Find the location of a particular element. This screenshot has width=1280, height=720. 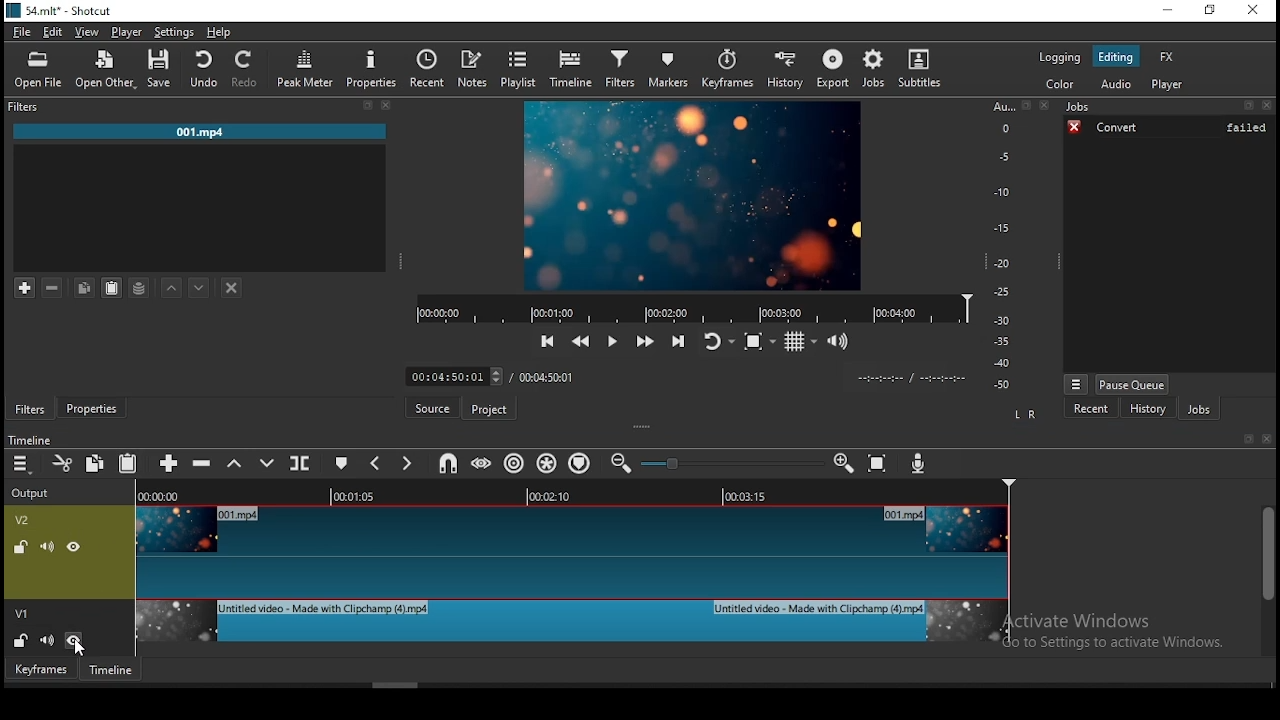

markers is located at coordinates (665, 68).